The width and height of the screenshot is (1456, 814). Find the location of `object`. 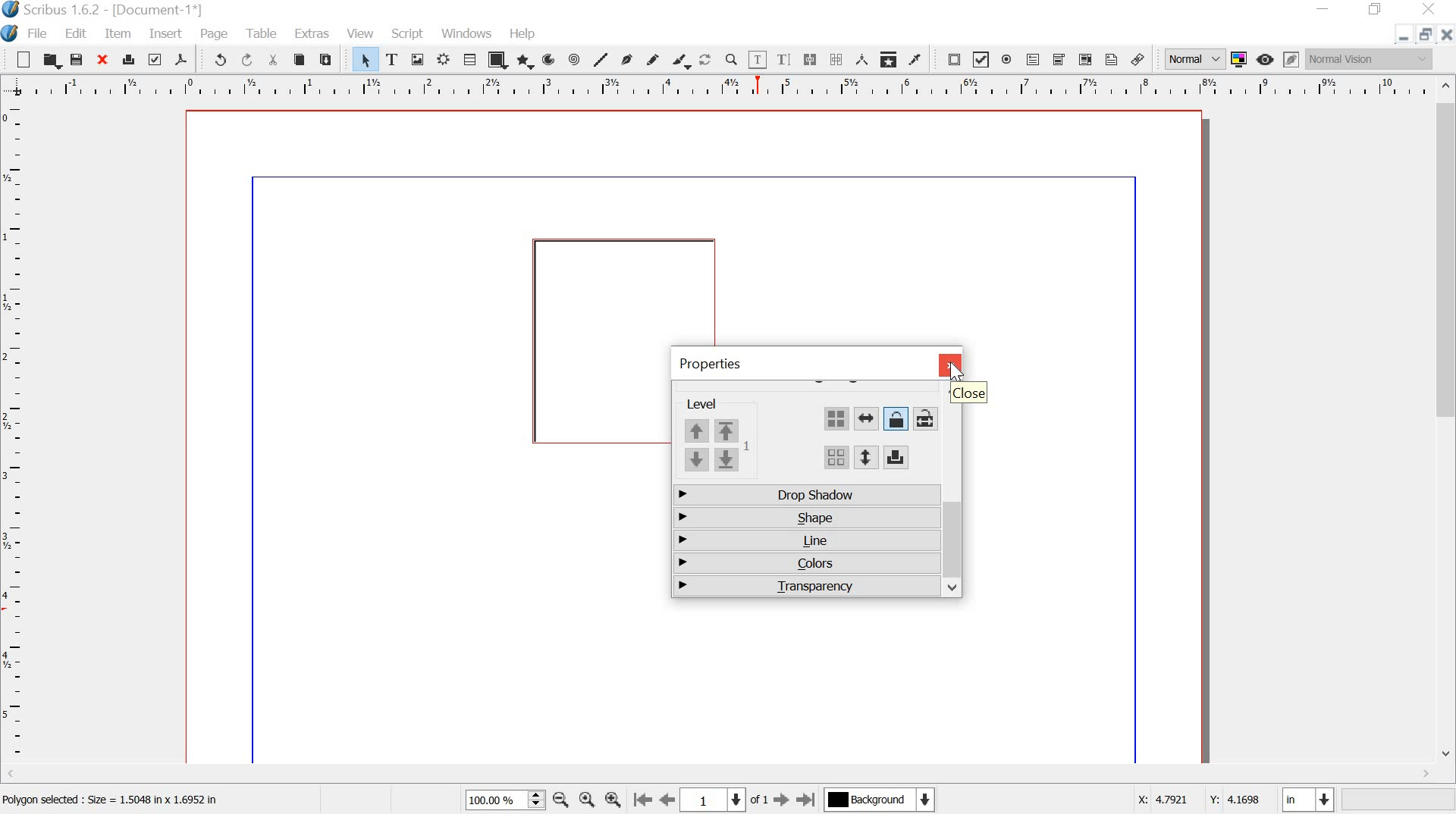

object is located at coordinates (595, 340).